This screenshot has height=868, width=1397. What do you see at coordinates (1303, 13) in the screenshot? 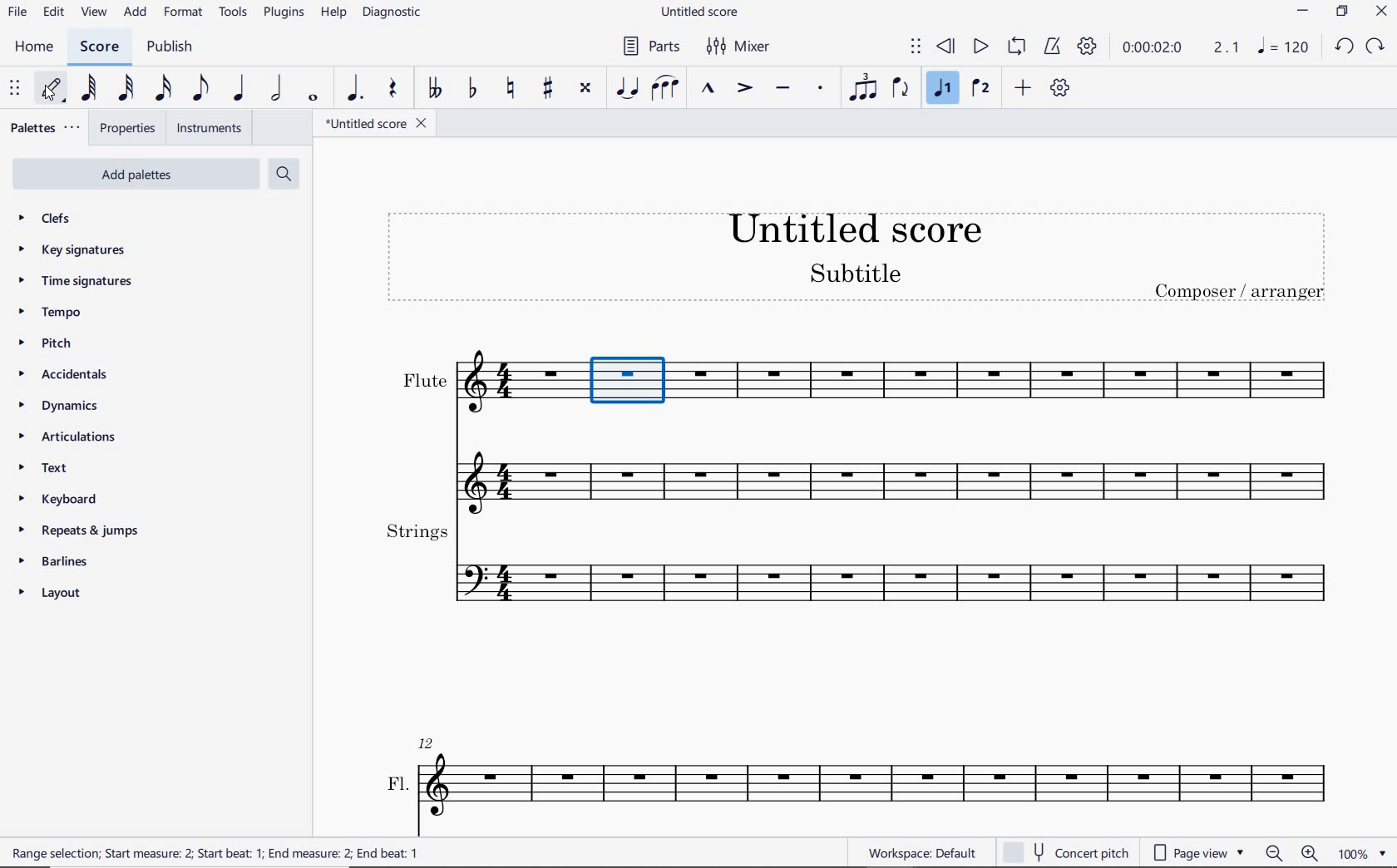
I see `minimize` at bounding box center [1303, 13].